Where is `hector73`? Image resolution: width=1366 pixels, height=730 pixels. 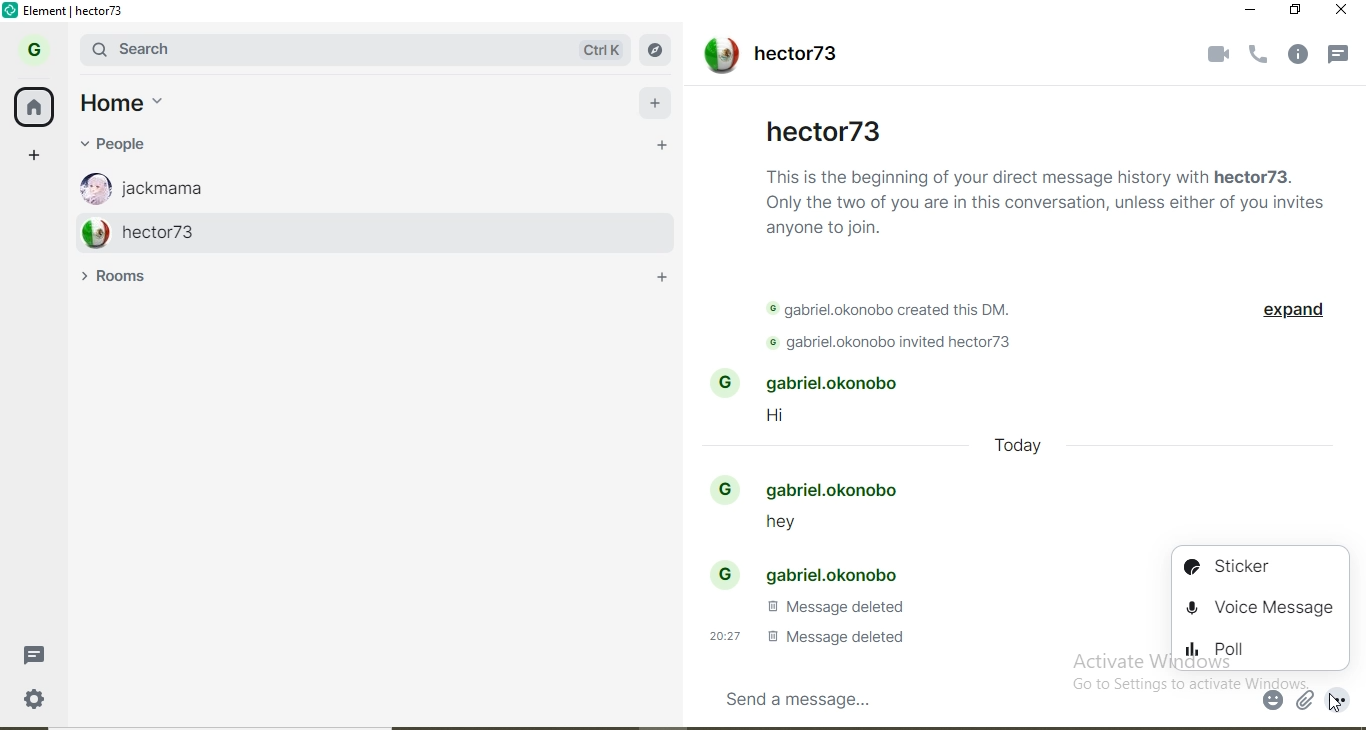 hector73 is located at coordinates (768, 57).